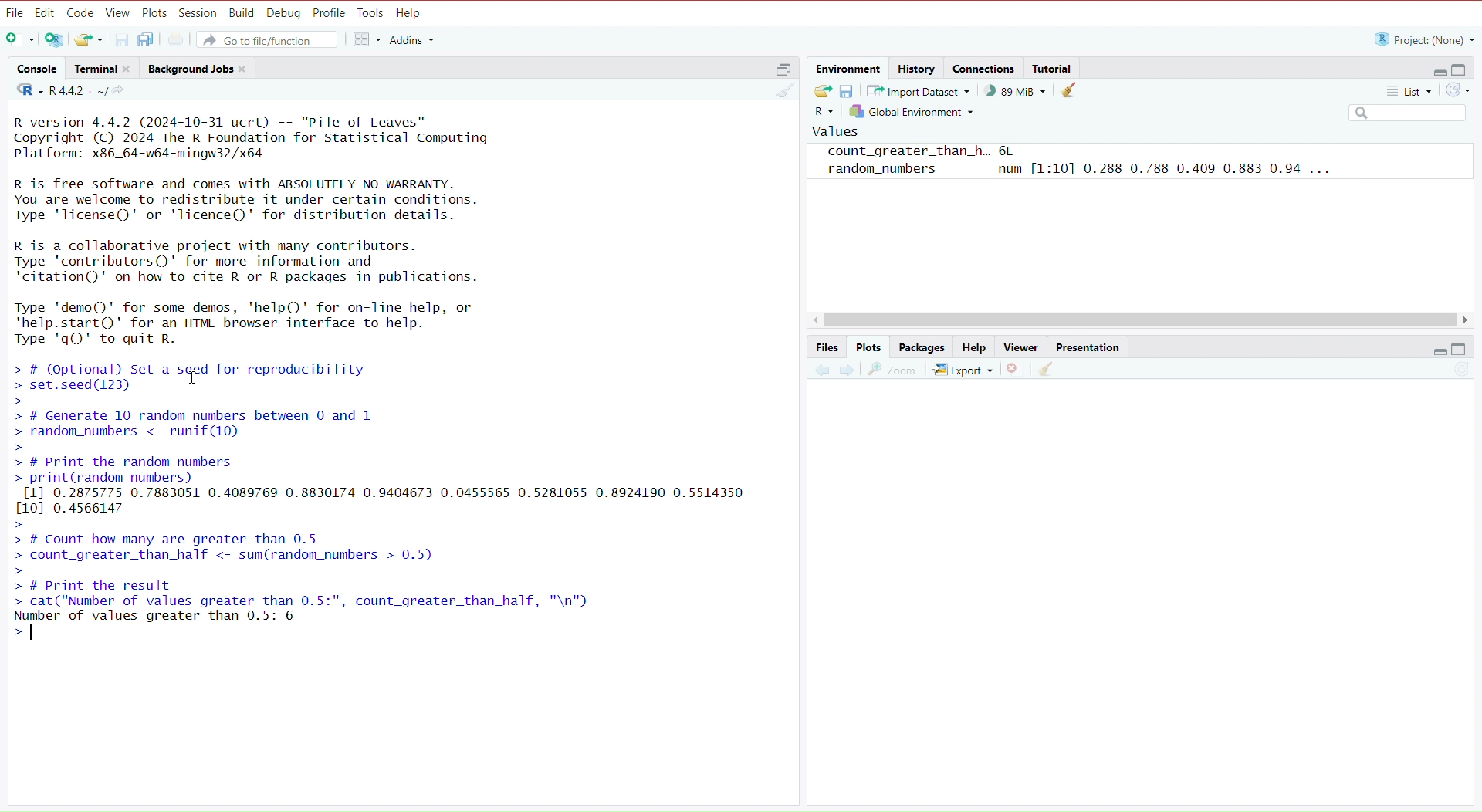 This screenshot has width=1482, height=812. I want to click on Build, so click(242, 12).